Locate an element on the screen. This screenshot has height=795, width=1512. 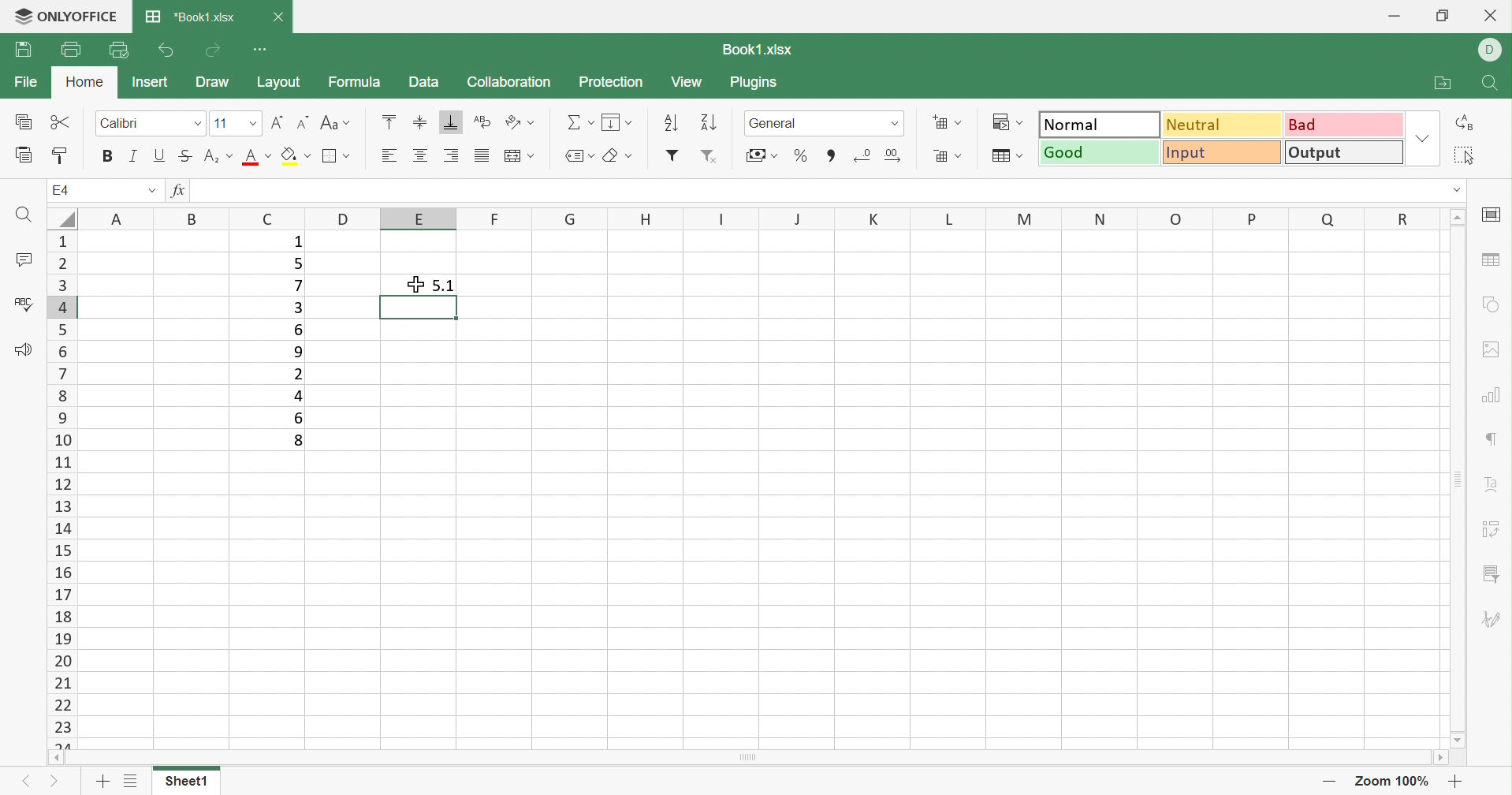
Align Center is located at coordinates (420, 155).